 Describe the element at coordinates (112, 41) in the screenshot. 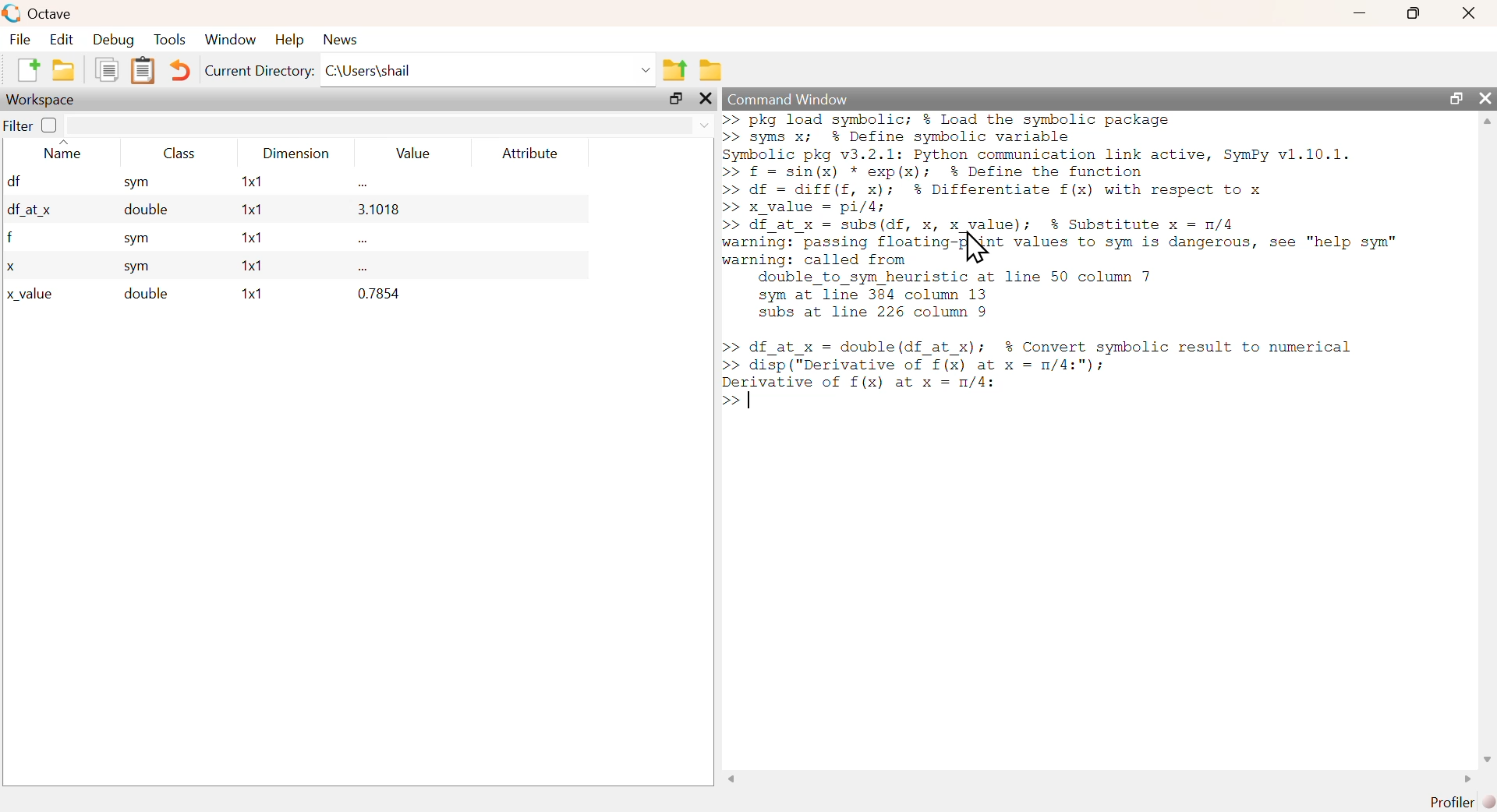

I see `Debug` at that location.